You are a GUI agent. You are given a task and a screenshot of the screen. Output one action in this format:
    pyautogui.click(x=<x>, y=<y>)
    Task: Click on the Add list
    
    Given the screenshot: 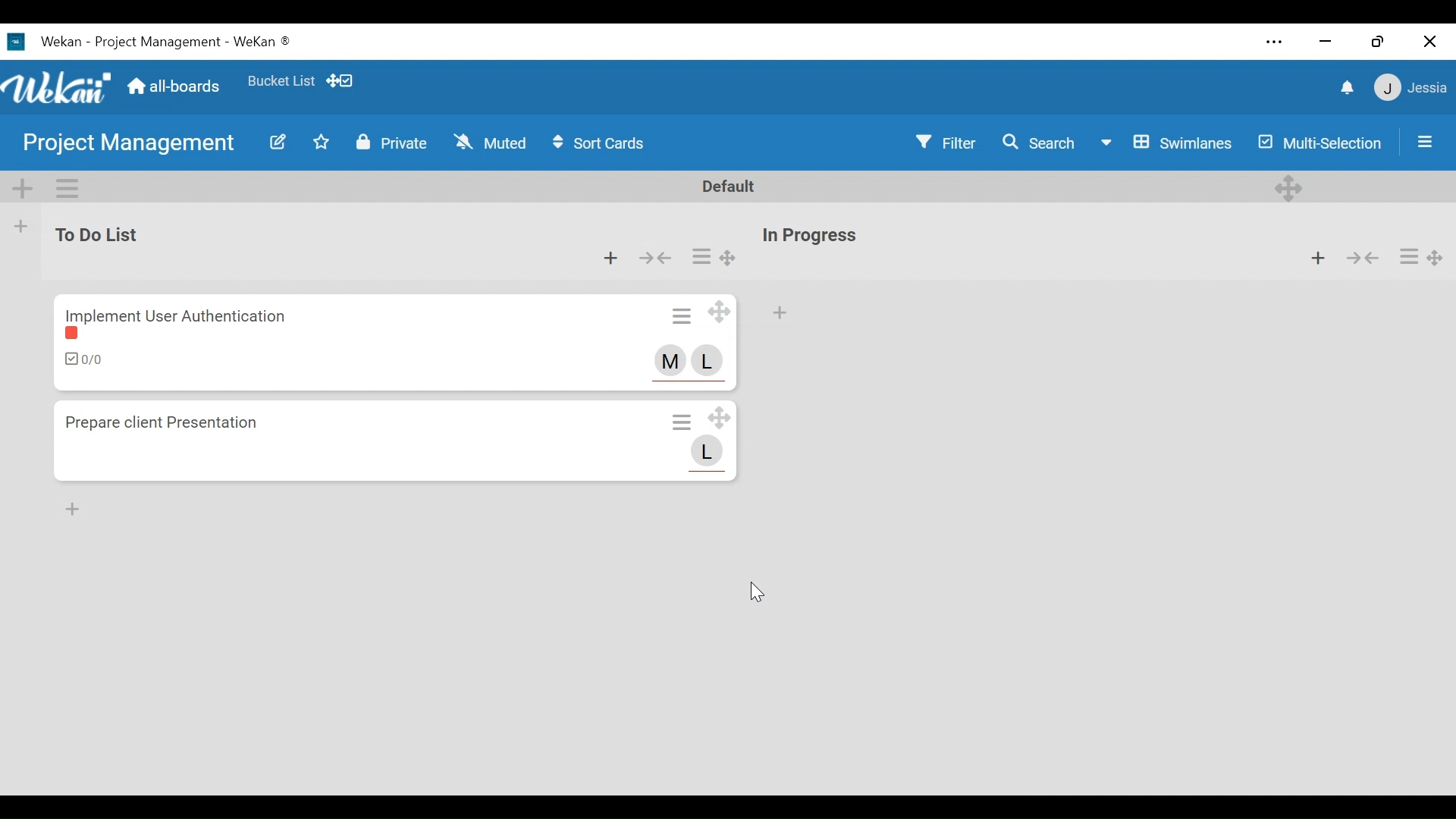 What is the action you would take?
    pyautogui.click(x=24, y=226)
    